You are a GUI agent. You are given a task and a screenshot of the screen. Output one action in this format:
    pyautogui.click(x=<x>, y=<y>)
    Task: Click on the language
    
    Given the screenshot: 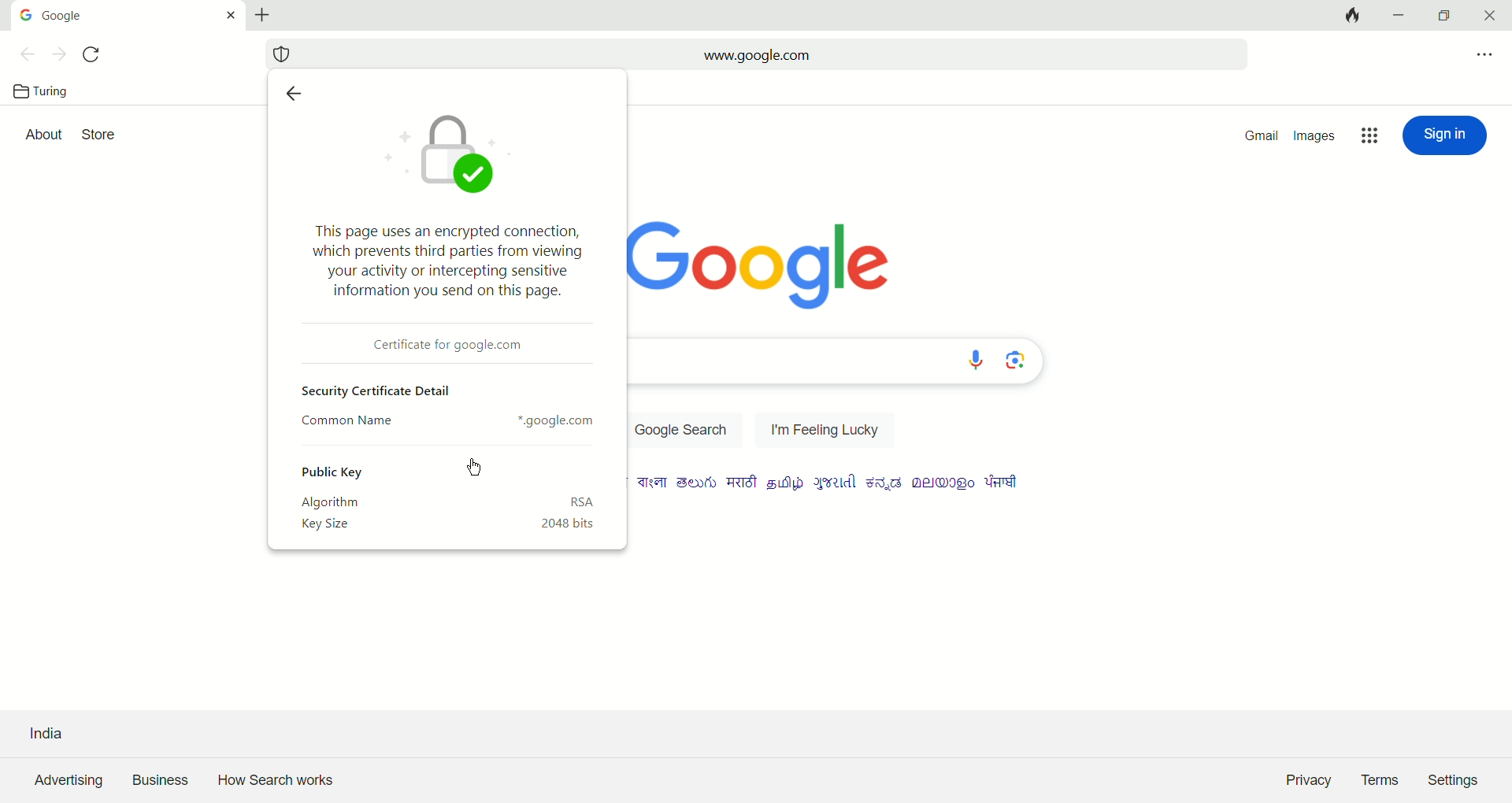 What is the action you would take?
    pyautogui.click(x=1002, y=481)
    